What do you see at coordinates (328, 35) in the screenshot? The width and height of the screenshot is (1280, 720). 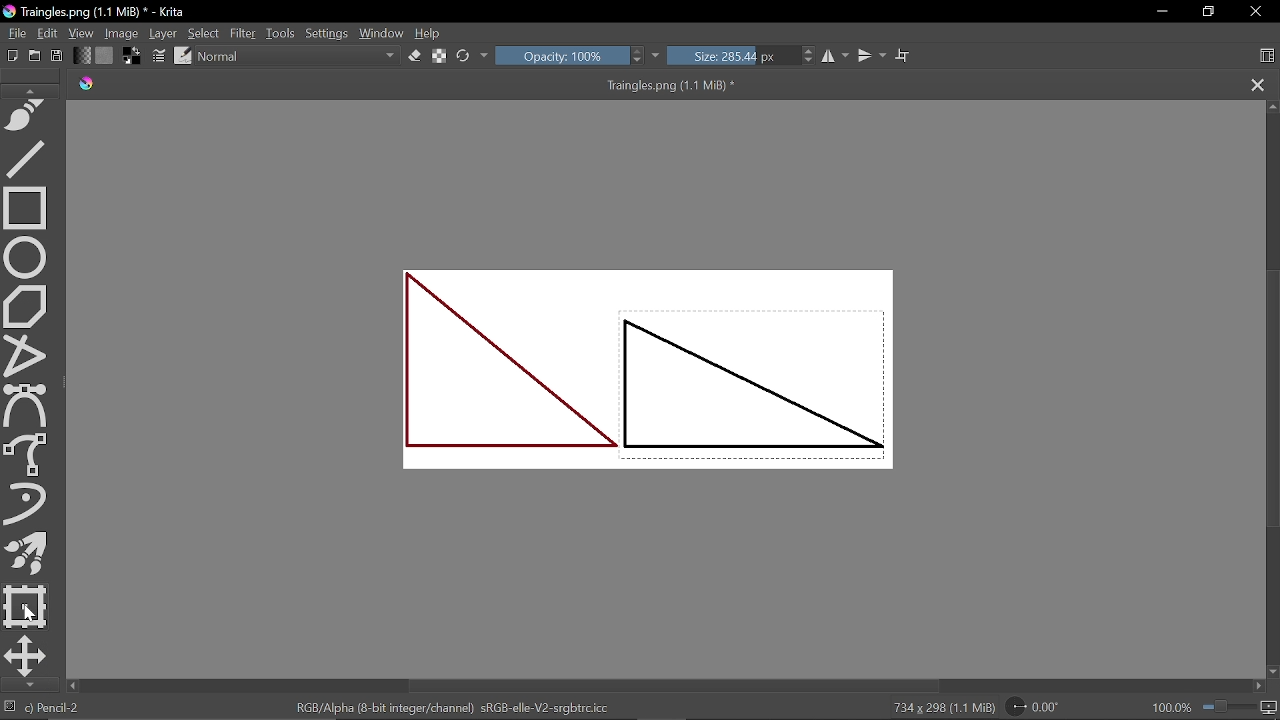 I see `Settings` at bounding box center [328, 35].